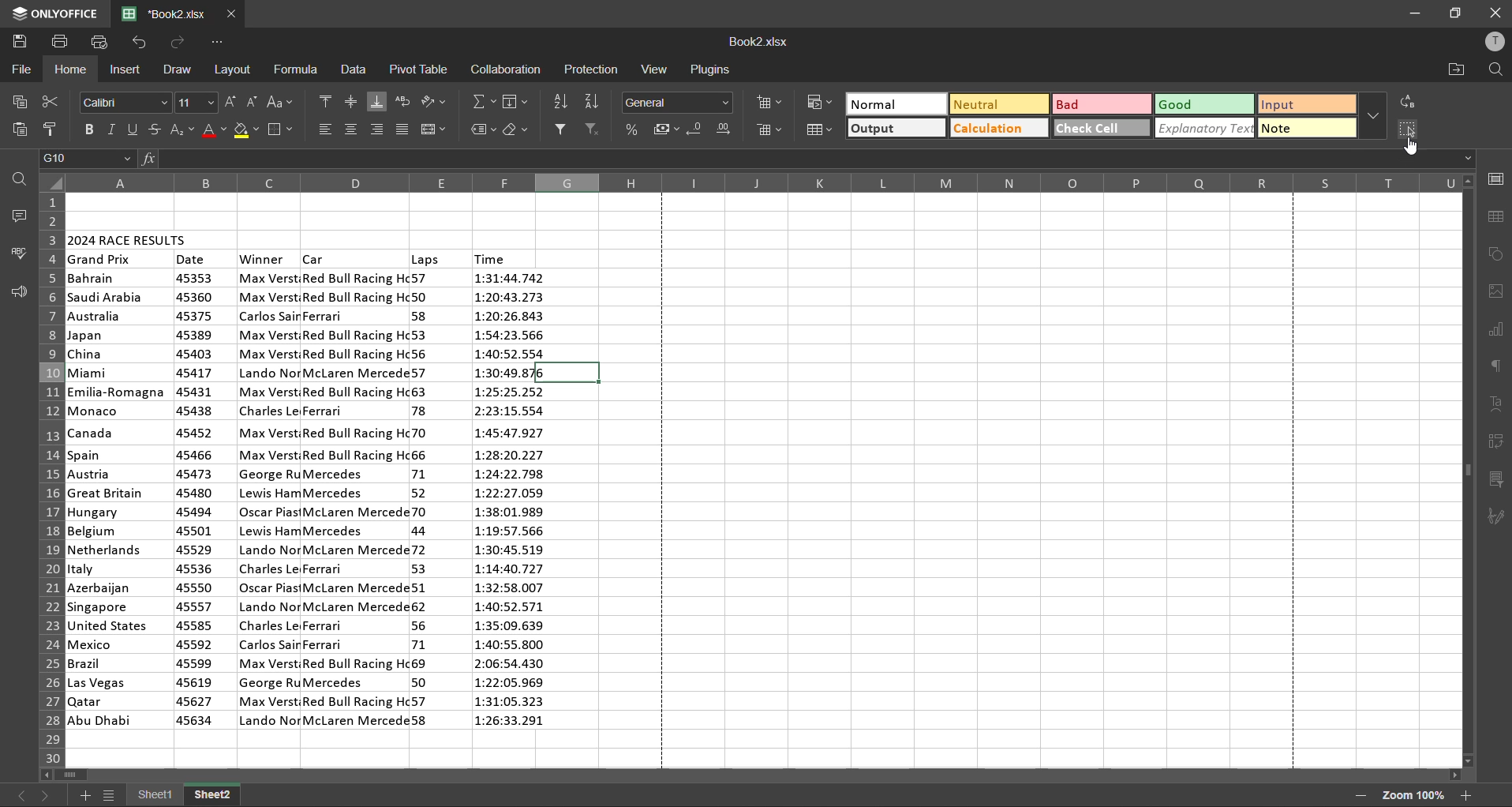  Describe the element at coordinates (52, 102) in the screenshot. I see `cut` at that location.